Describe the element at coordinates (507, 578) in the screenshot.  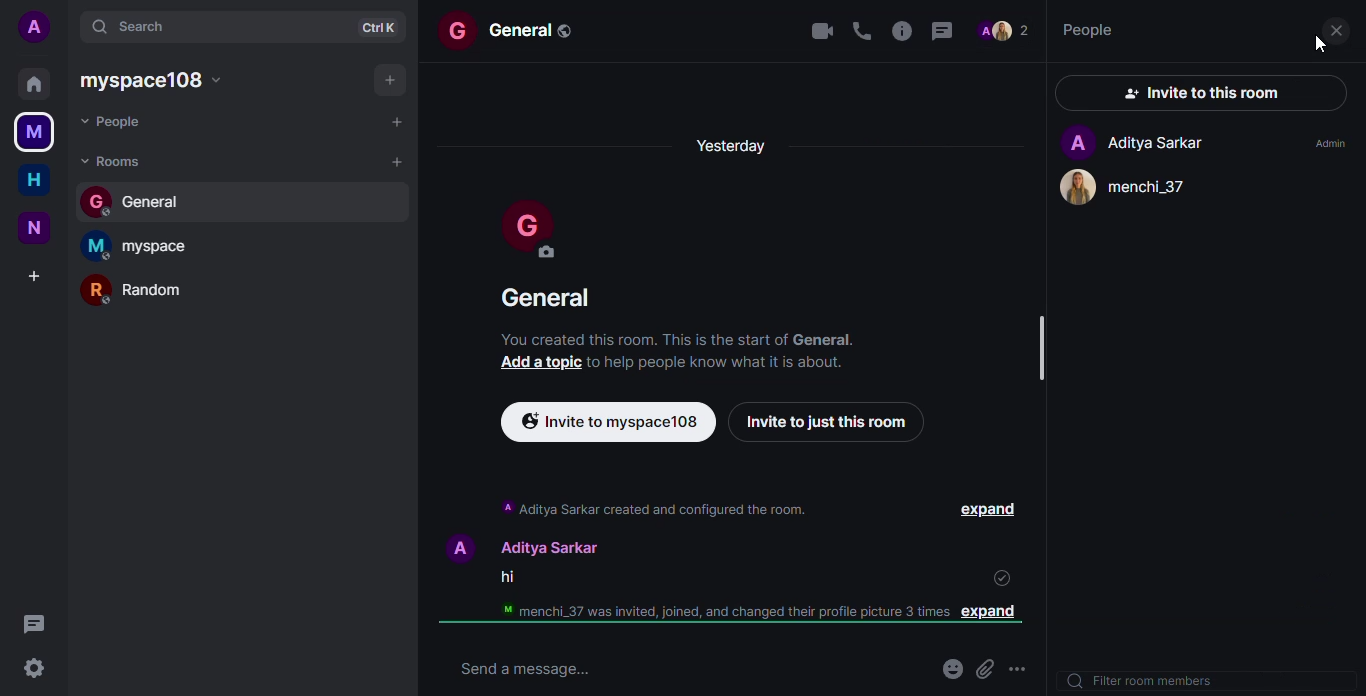
I see `hi` at that location.